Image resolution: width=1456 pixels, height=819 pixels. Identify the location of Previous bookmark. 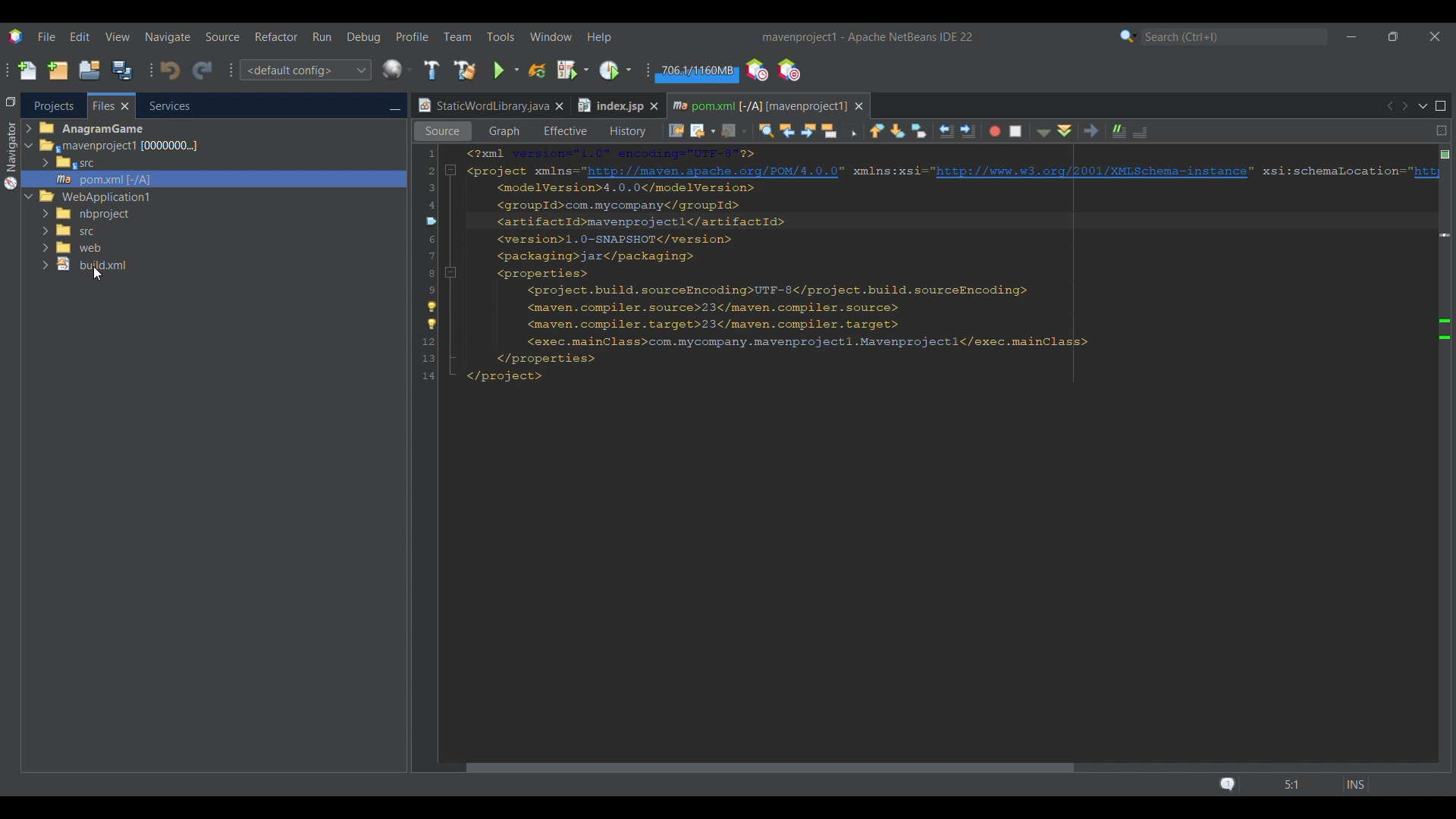
(877, 128).